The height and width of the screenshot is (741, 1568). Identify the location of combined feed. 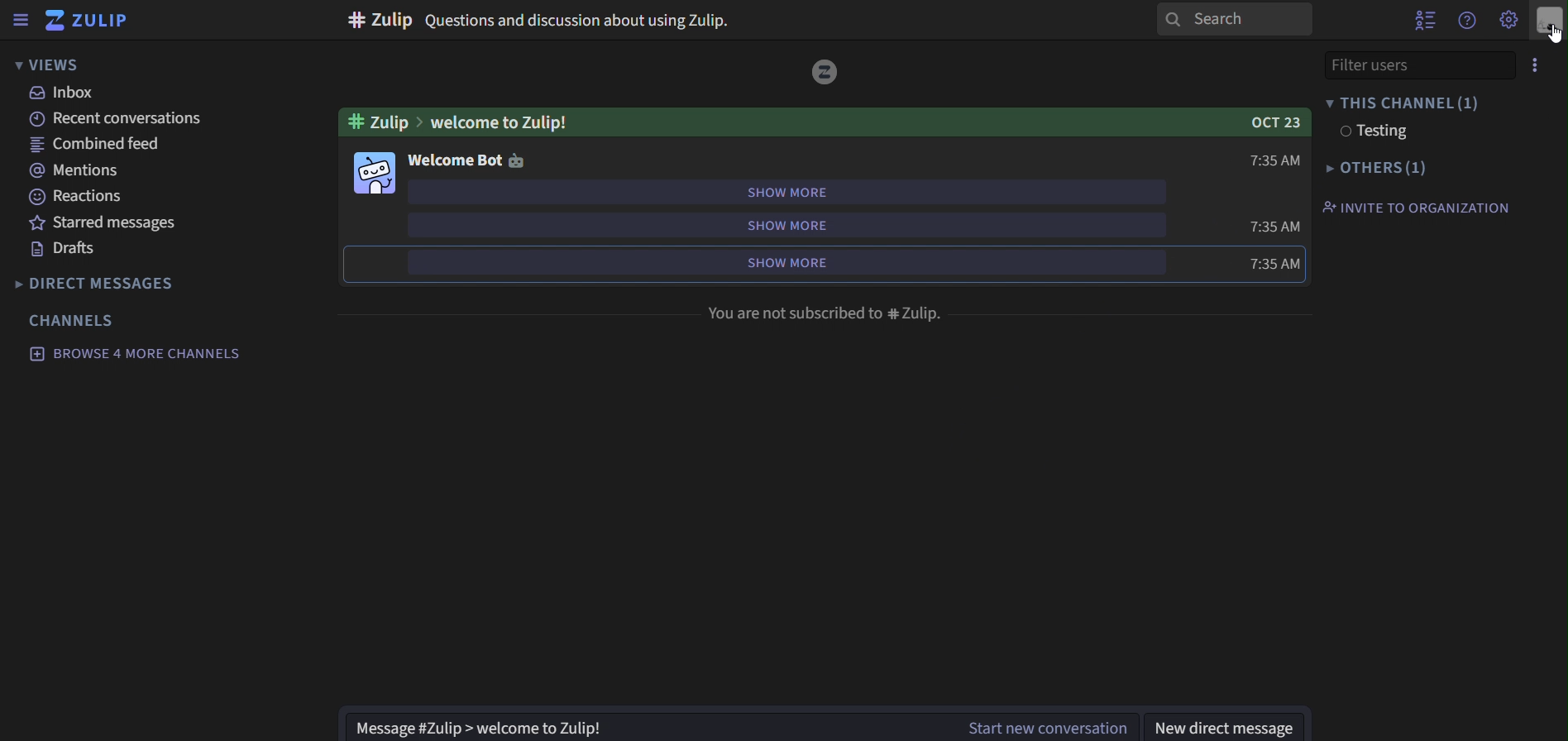
(95, 142).